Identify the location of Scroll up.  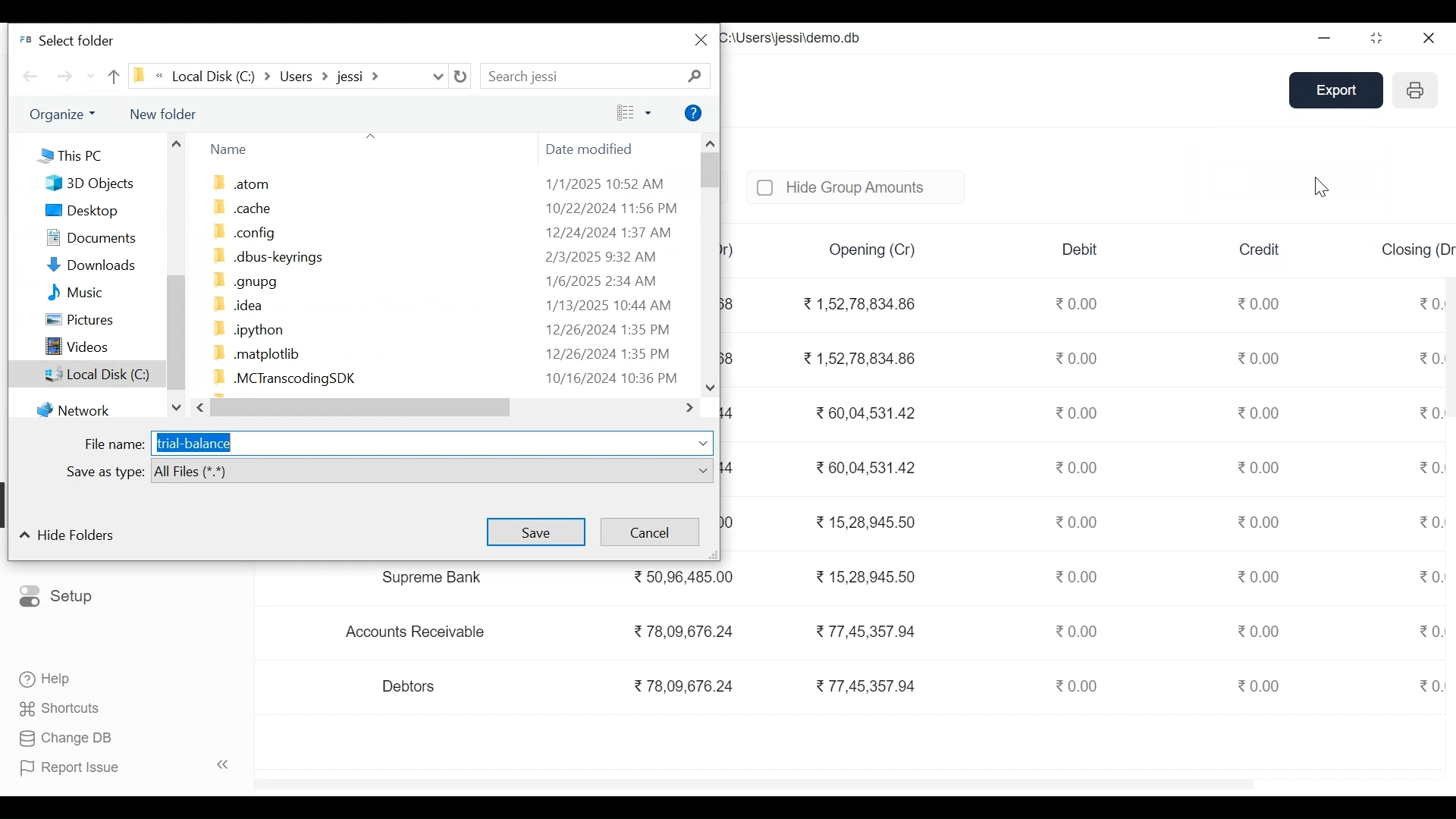
(710, 143).